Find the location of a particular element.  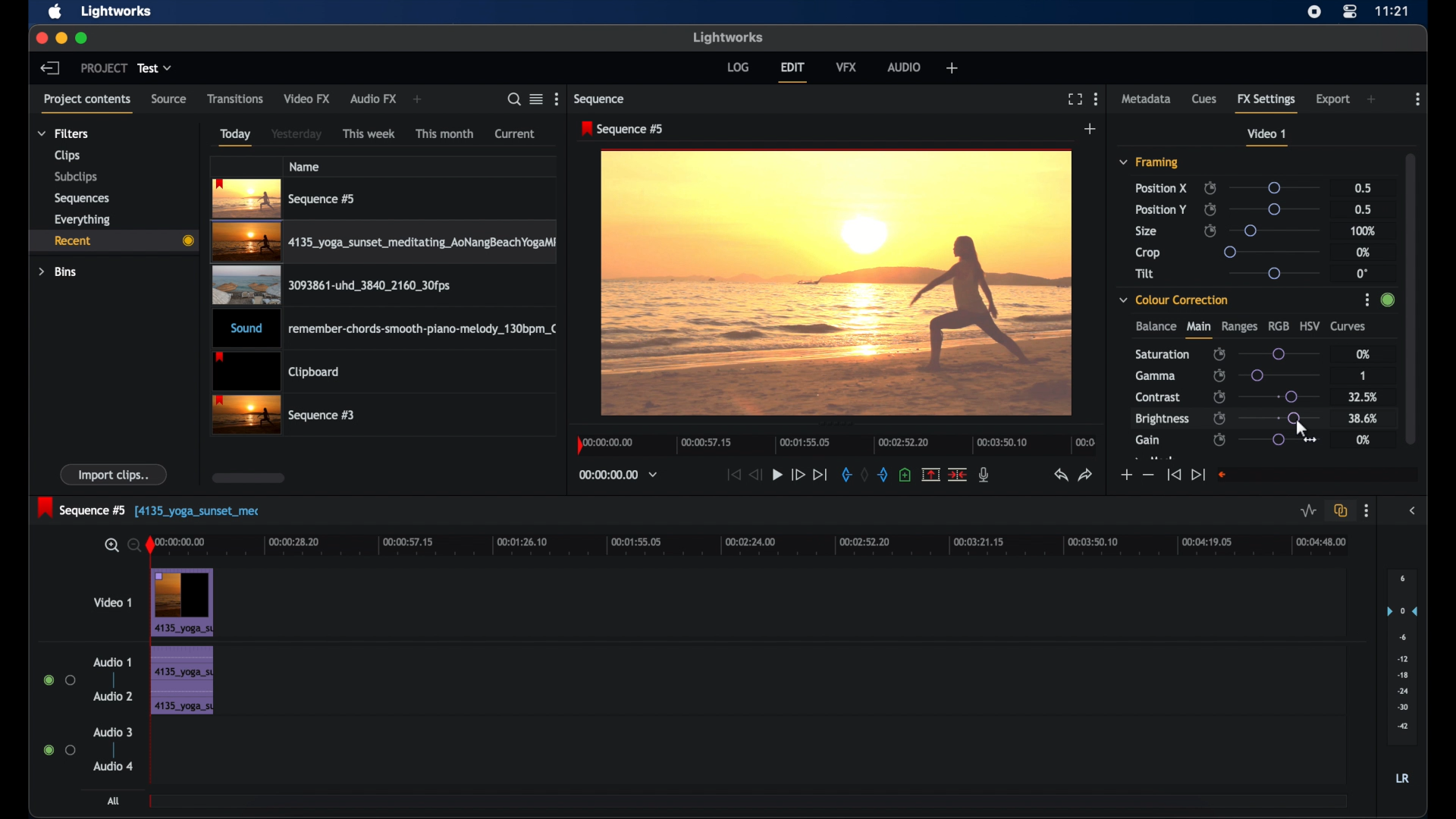

jump to end is located at coordinates (1197, 475).